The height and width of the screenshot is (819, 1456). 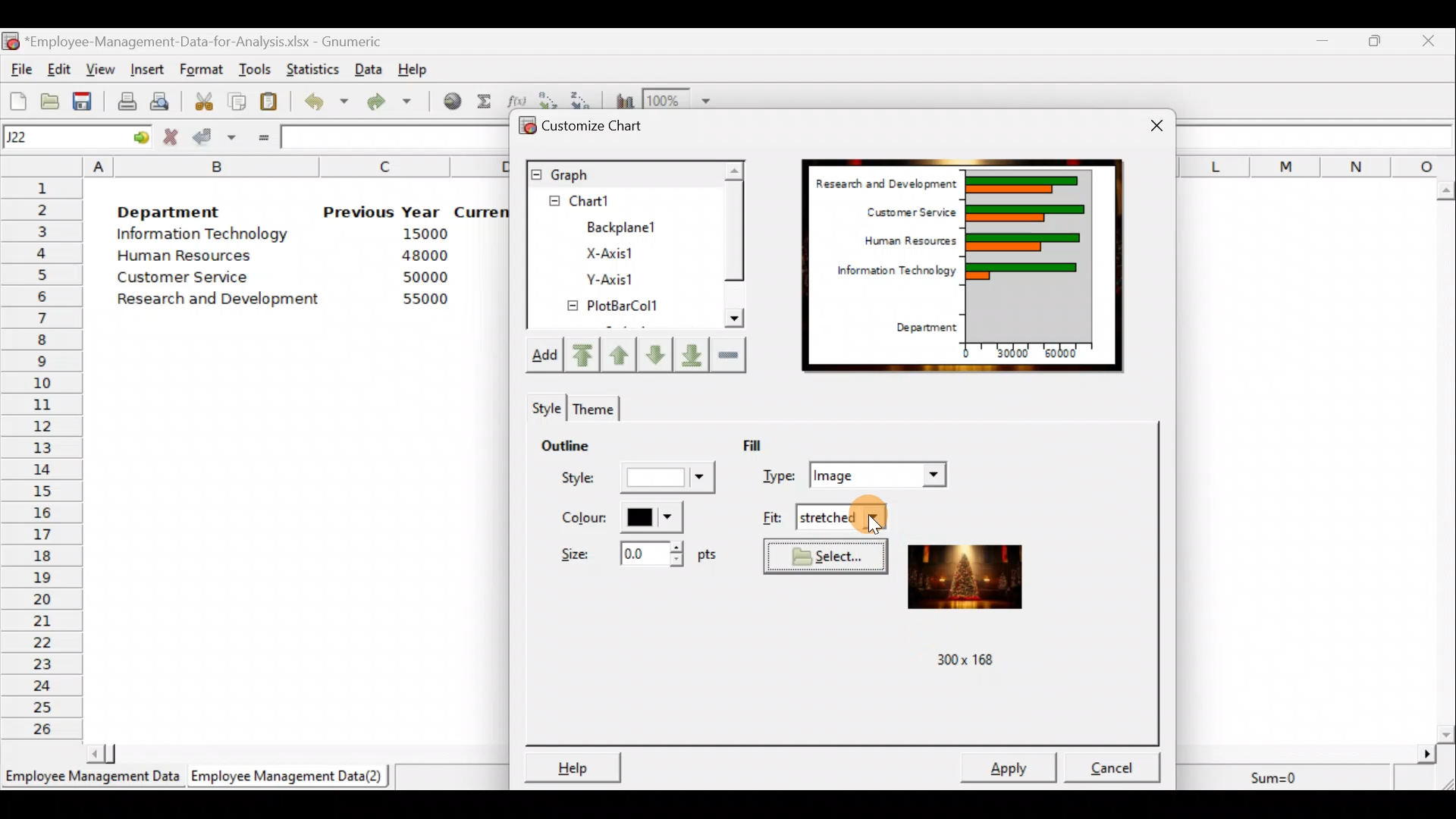 I want to click on Edit a function in the current cell, so click(x=517, y=99).